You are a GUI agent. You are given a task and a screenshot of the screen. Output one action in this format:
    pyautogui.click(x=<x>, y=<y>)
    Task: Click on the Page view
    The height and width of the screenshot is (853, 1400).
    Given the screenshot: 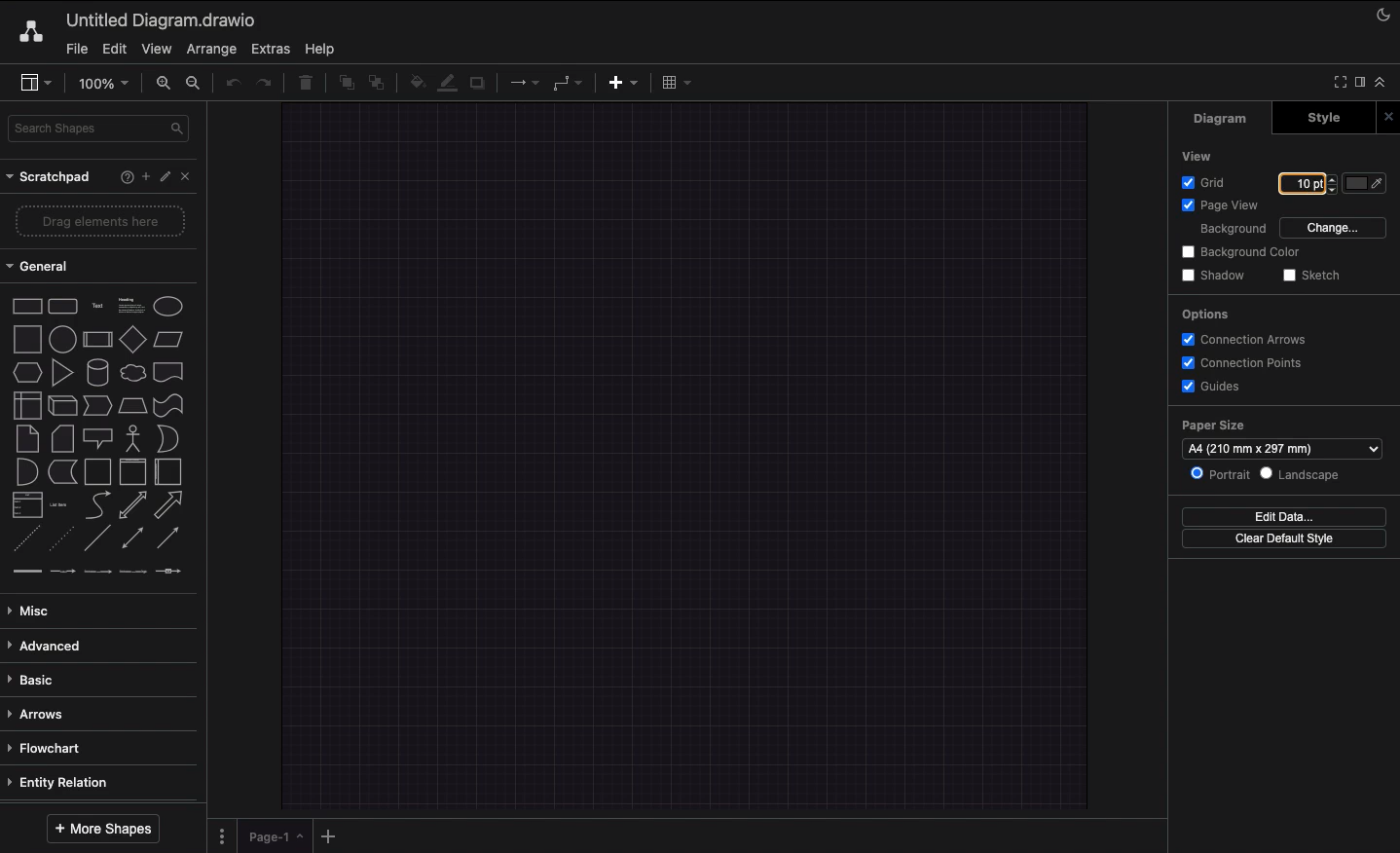 What is the action you would take?
    pyautogui.click(x=1221, y=206)
    